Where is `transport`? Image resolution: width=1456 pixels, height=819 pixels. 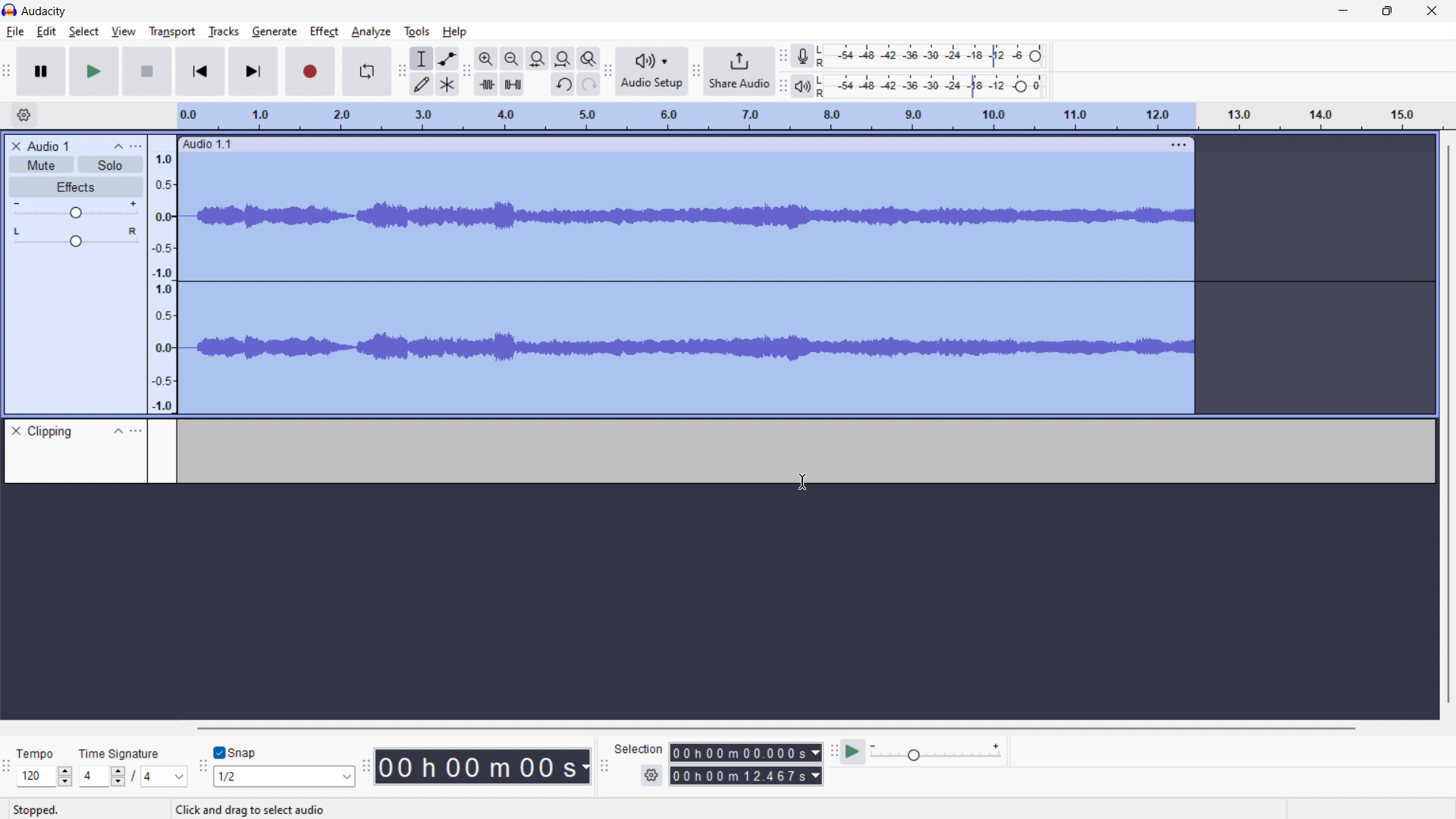
transport is located at coordinates (173, 32).